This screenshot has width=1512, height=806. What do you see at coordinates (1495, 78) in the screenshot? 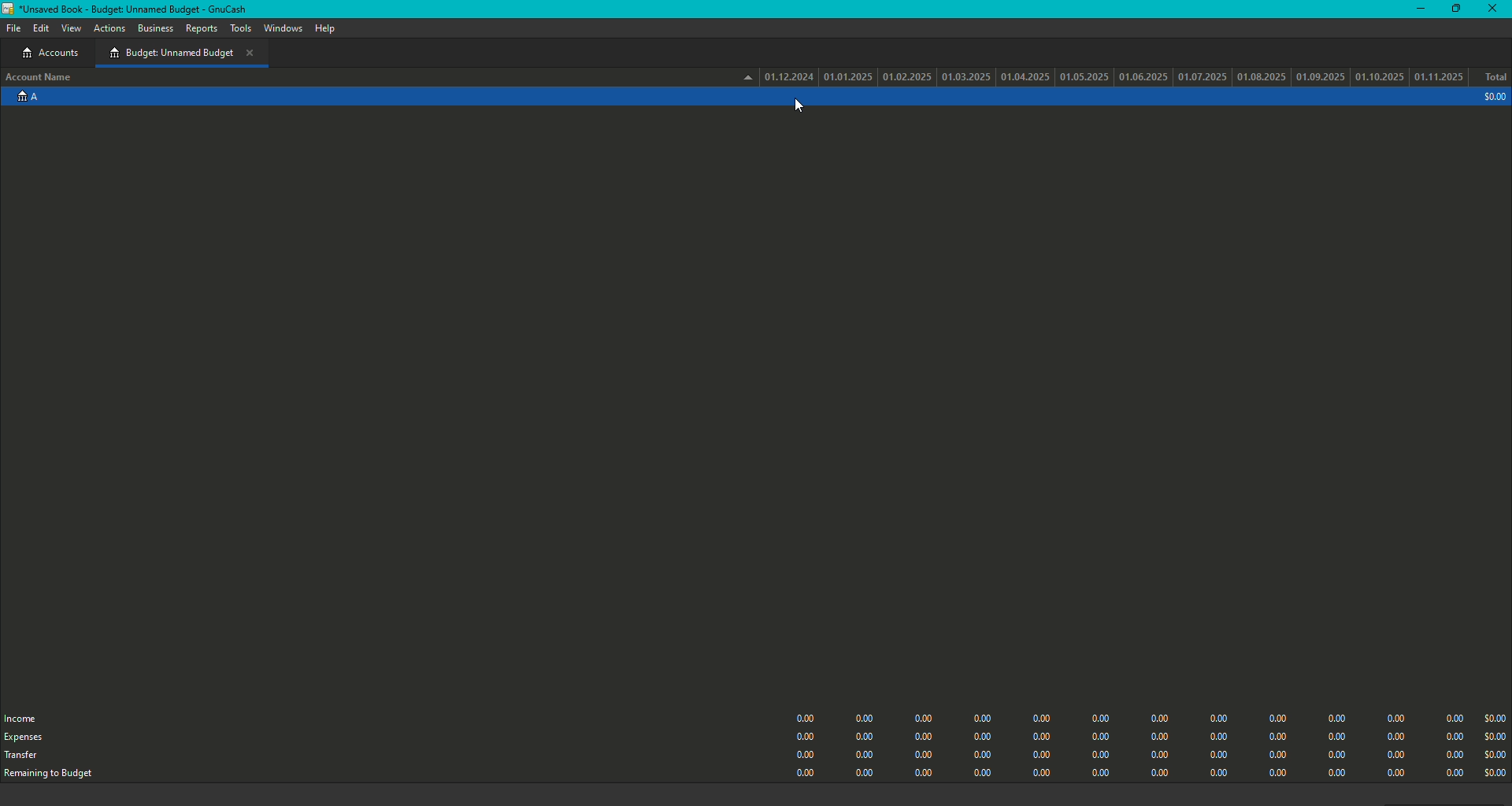
I see `Total` at bounding box center [1495, 78].